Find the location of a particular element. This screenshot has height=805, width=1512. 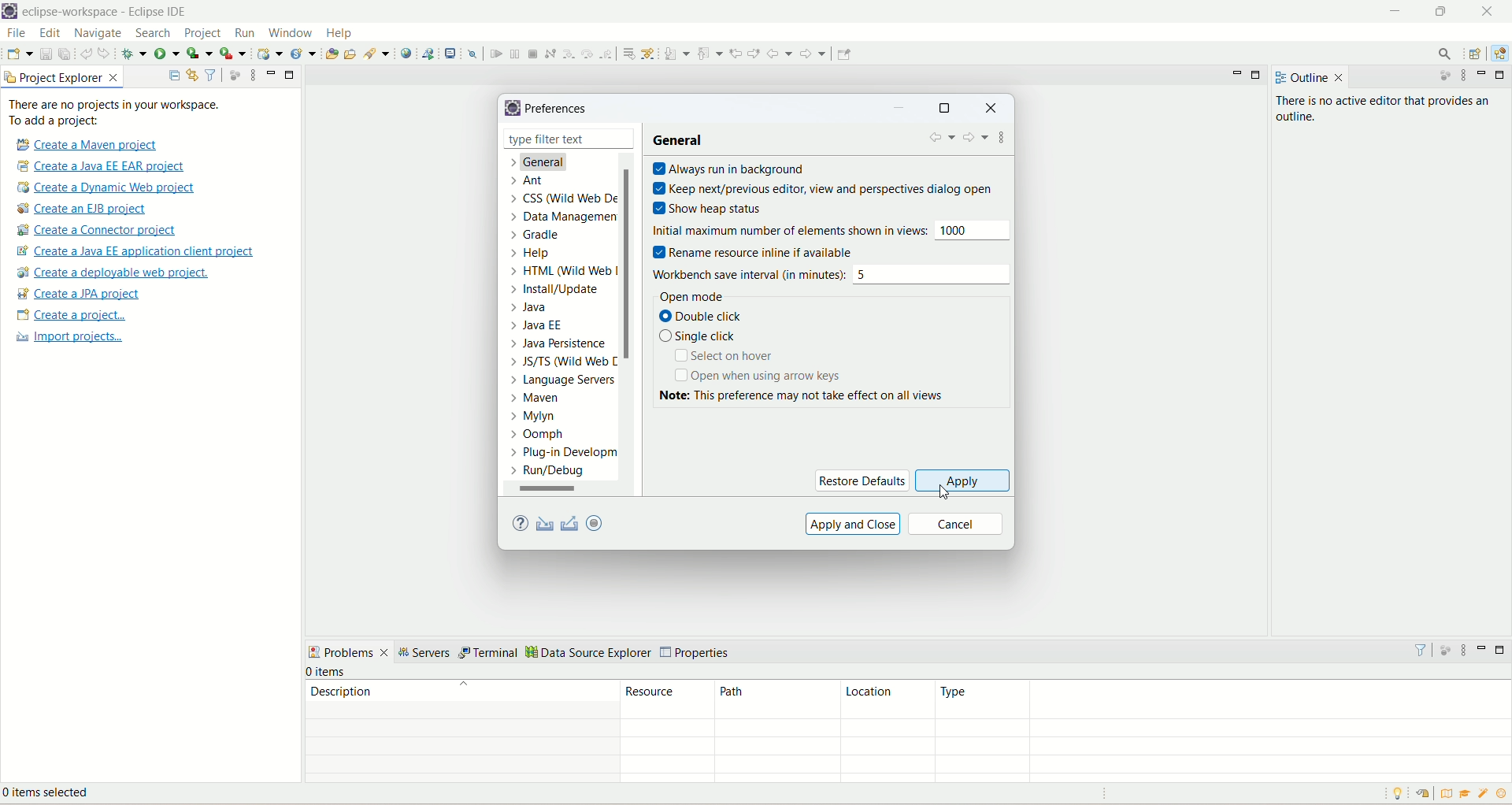

mayer is located at coordinates (539, 400).